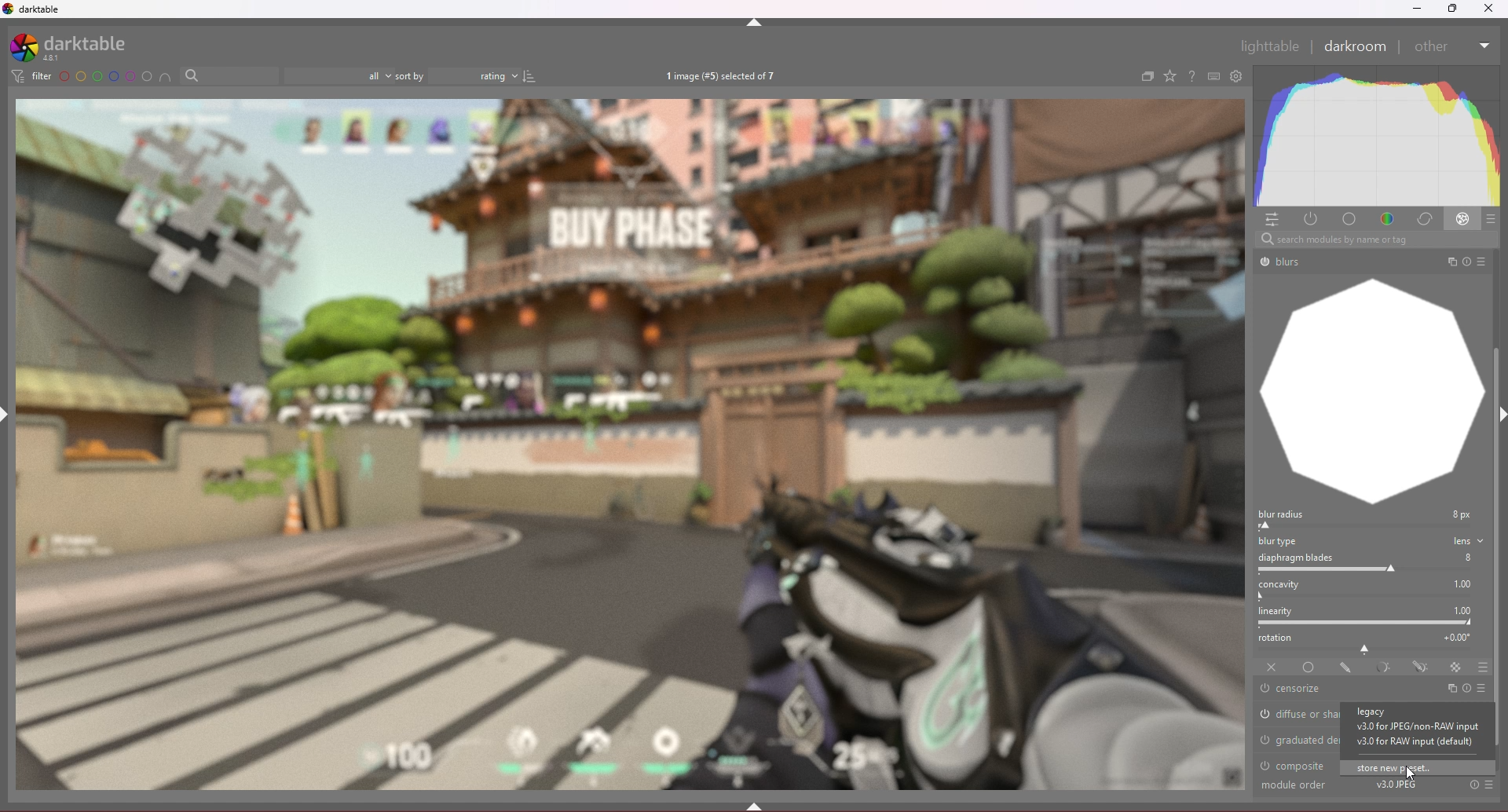  Describe the element at coordinates (1237, 77) in the screenshot. I see `open global preference` at that location.